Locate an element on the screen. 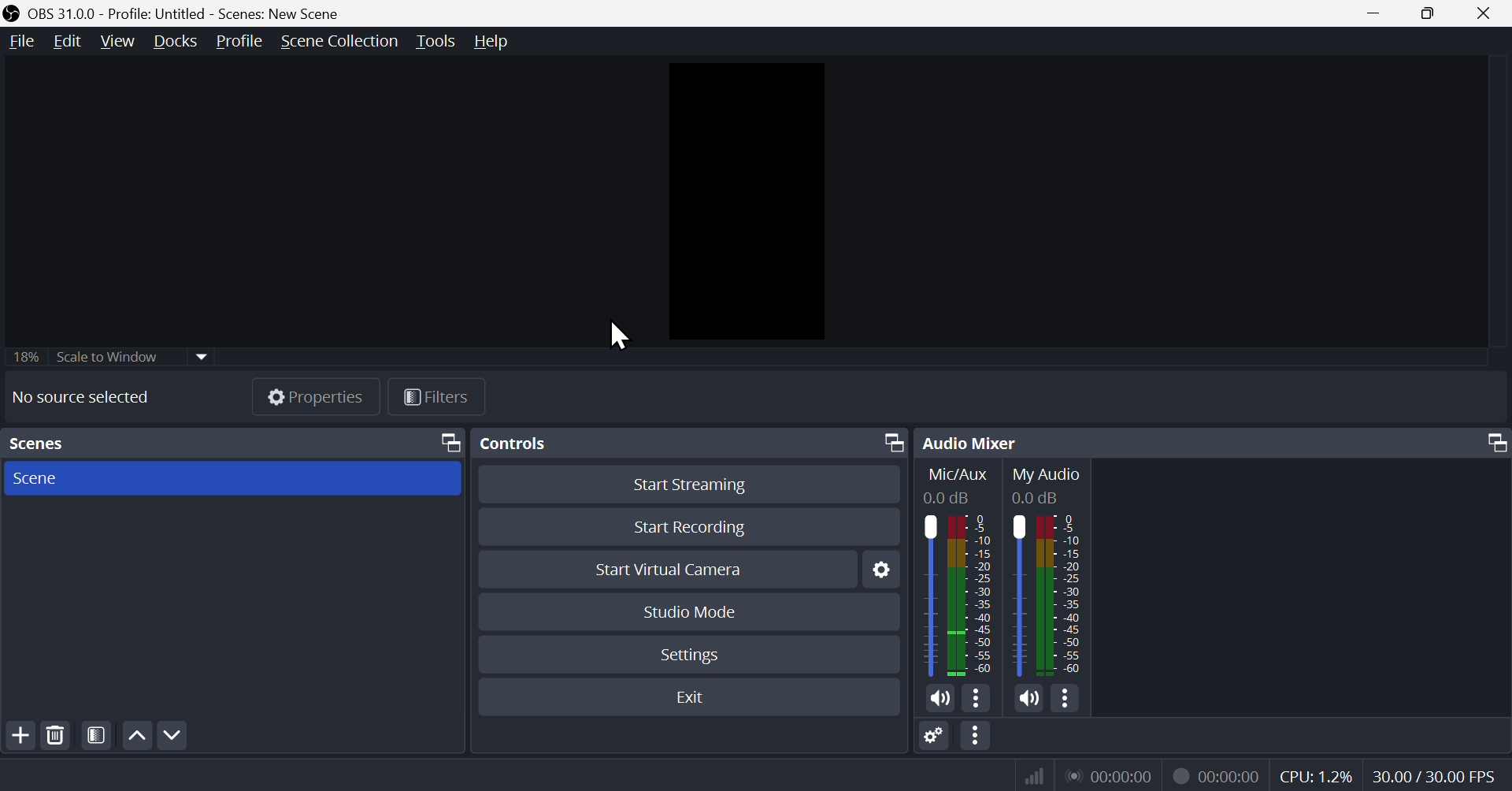  Help is located at coordinates (494, 43).